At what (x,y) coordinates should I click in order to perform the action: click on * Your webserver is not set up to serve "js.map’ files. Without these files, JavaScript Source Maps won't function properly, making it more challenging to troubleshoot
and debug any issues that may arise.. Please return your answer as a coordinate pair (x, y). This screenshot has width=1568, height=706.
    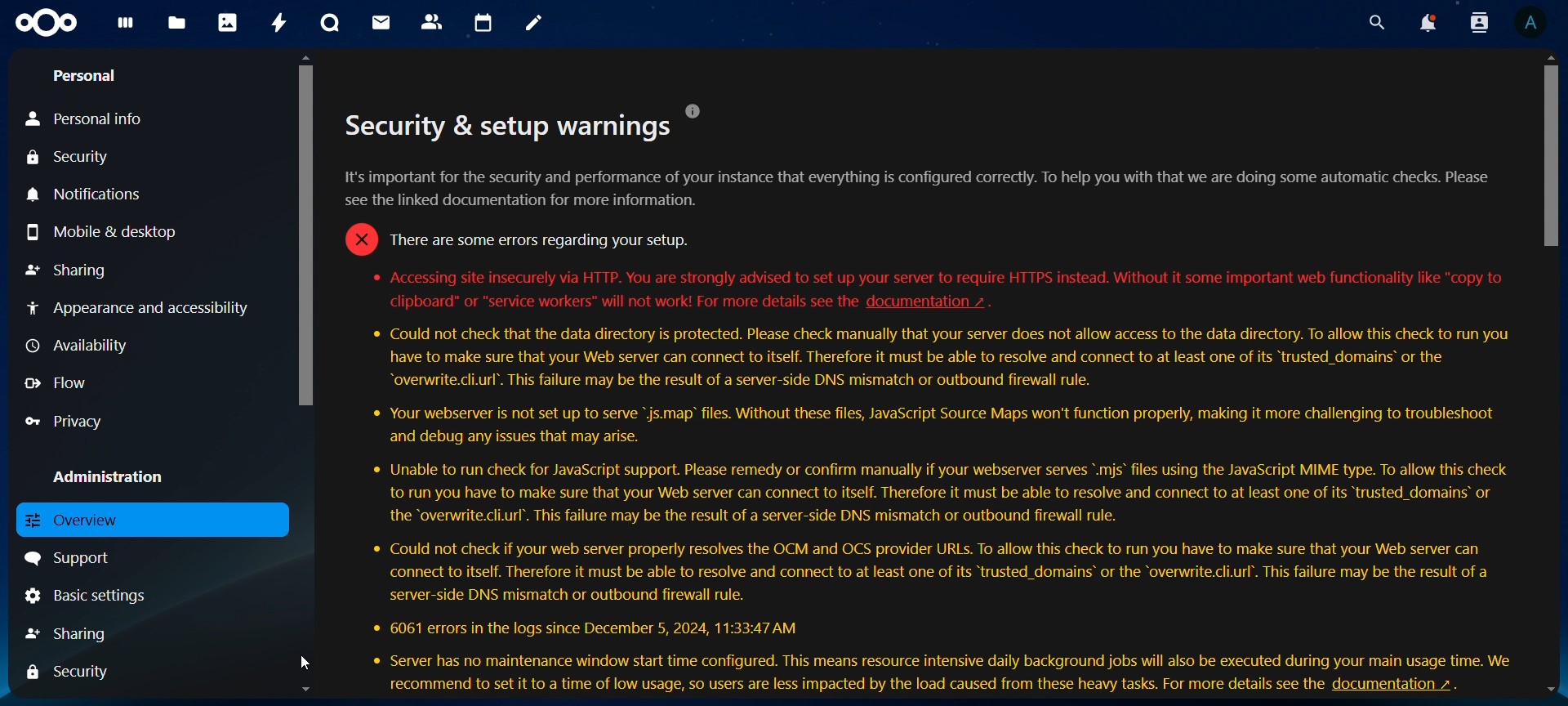
    Looking at the image, I should click on (938, 426).